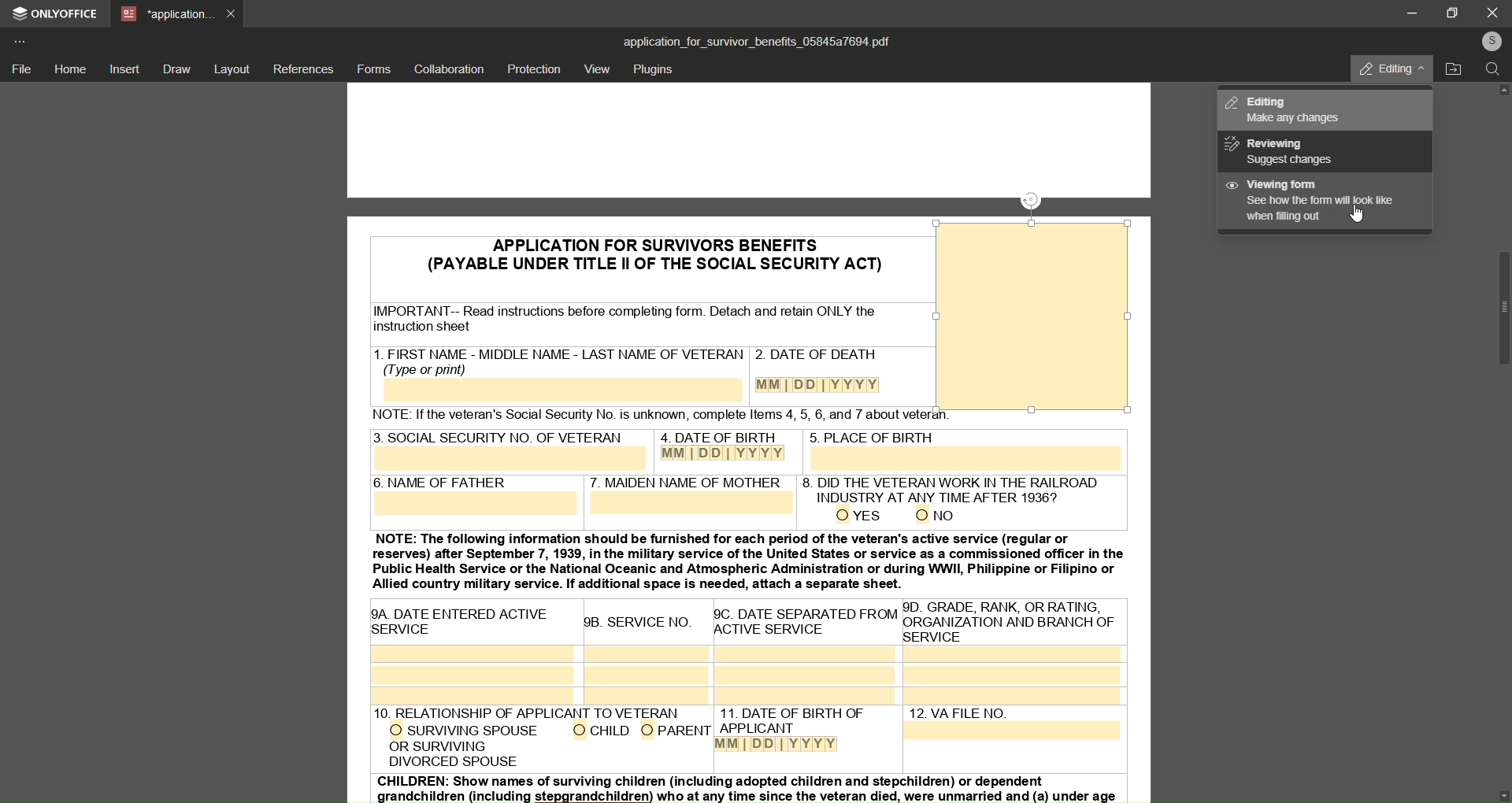 This screenshot has height=803, width=1512. What do you see at coordinates (1382, 68) in the screenshot?
I see `editing` at bounding box center [1382, 68].